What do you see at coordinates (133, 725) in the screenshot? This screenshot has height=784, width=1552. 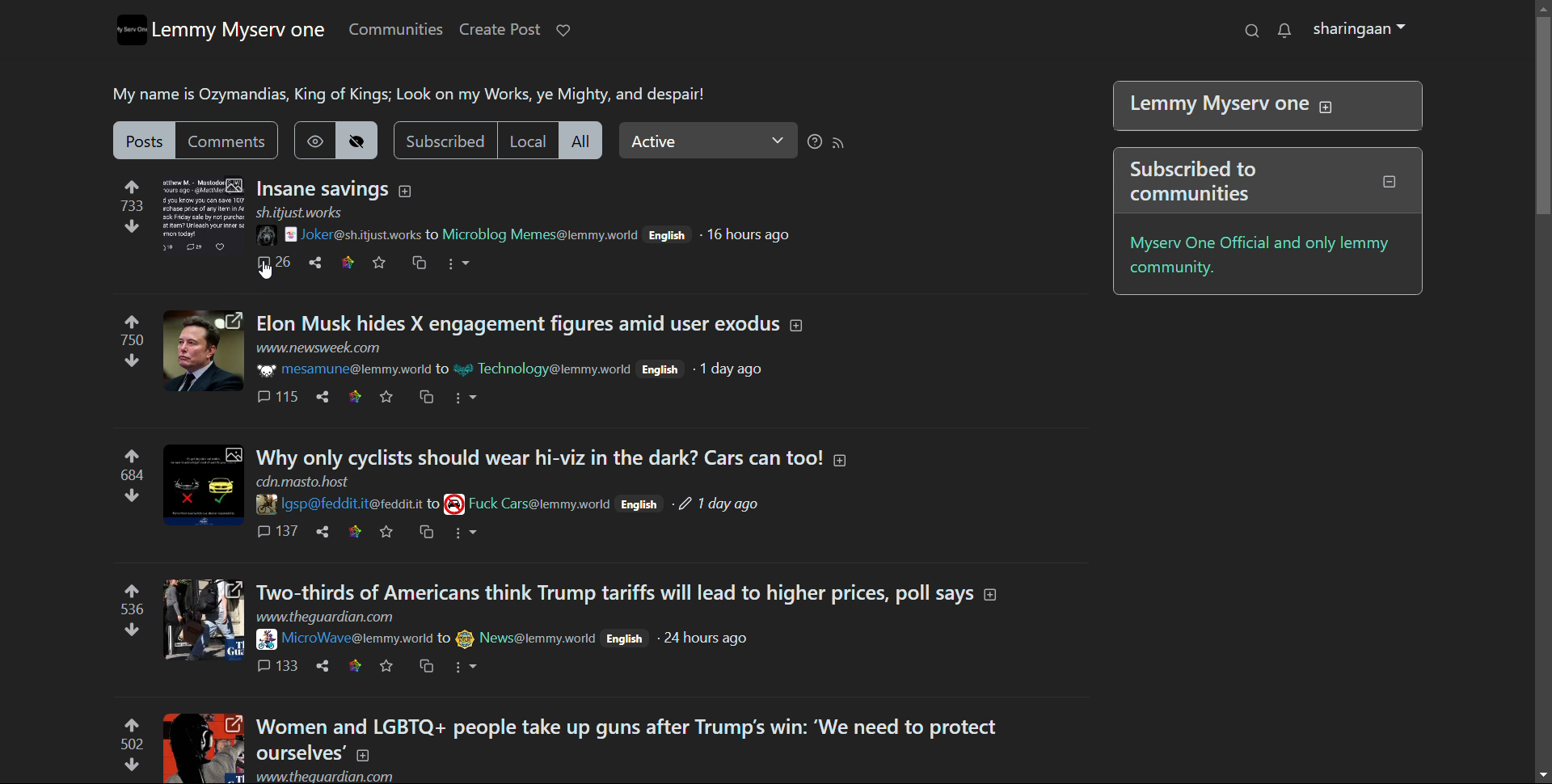 I see `upvotes` at bounding box center [133, 725].